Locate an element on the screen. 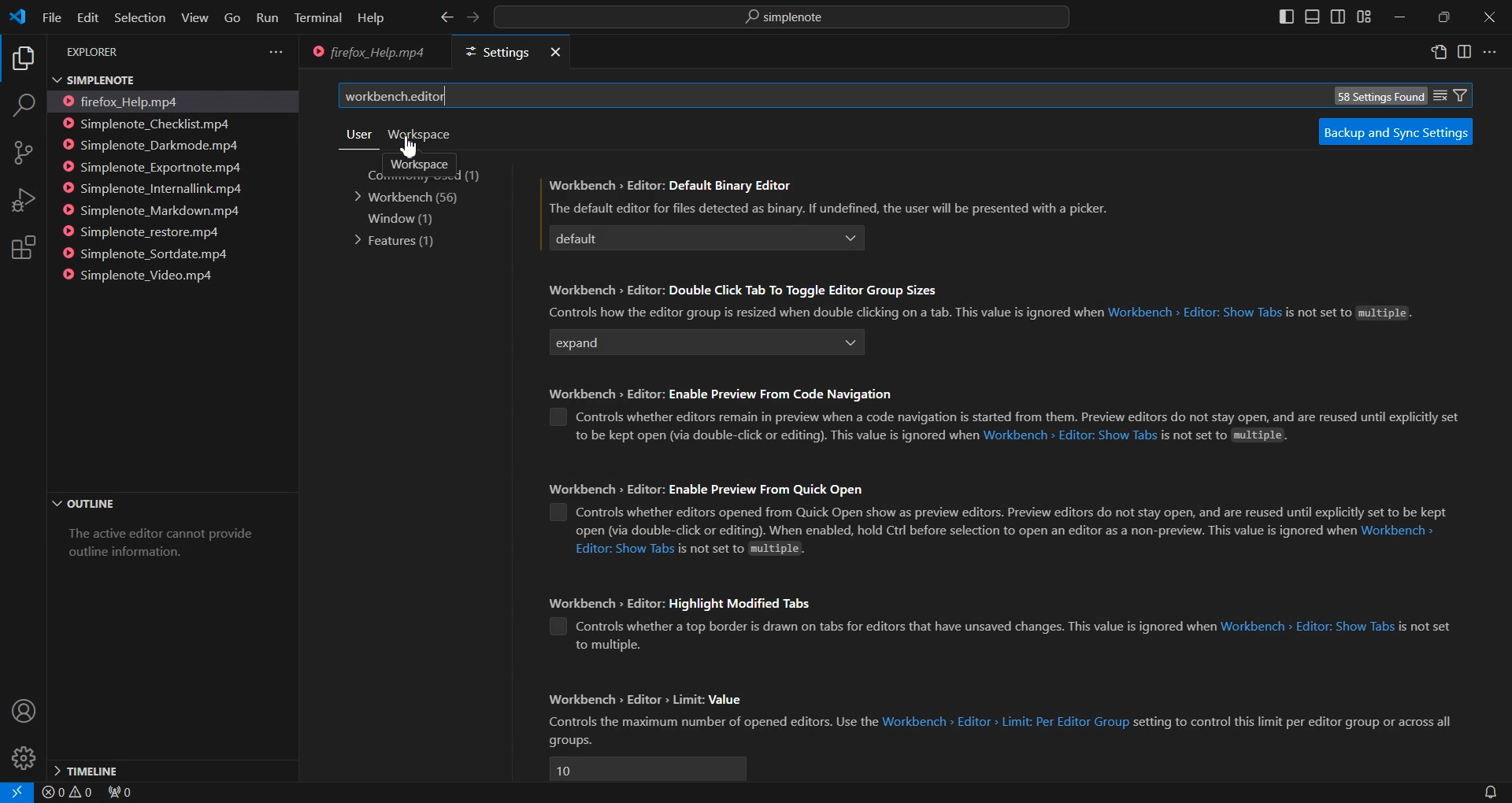 Image resolution: width=1512 pixels, height=803 pixels. Open a remote window is located at coordinates (13, 792).